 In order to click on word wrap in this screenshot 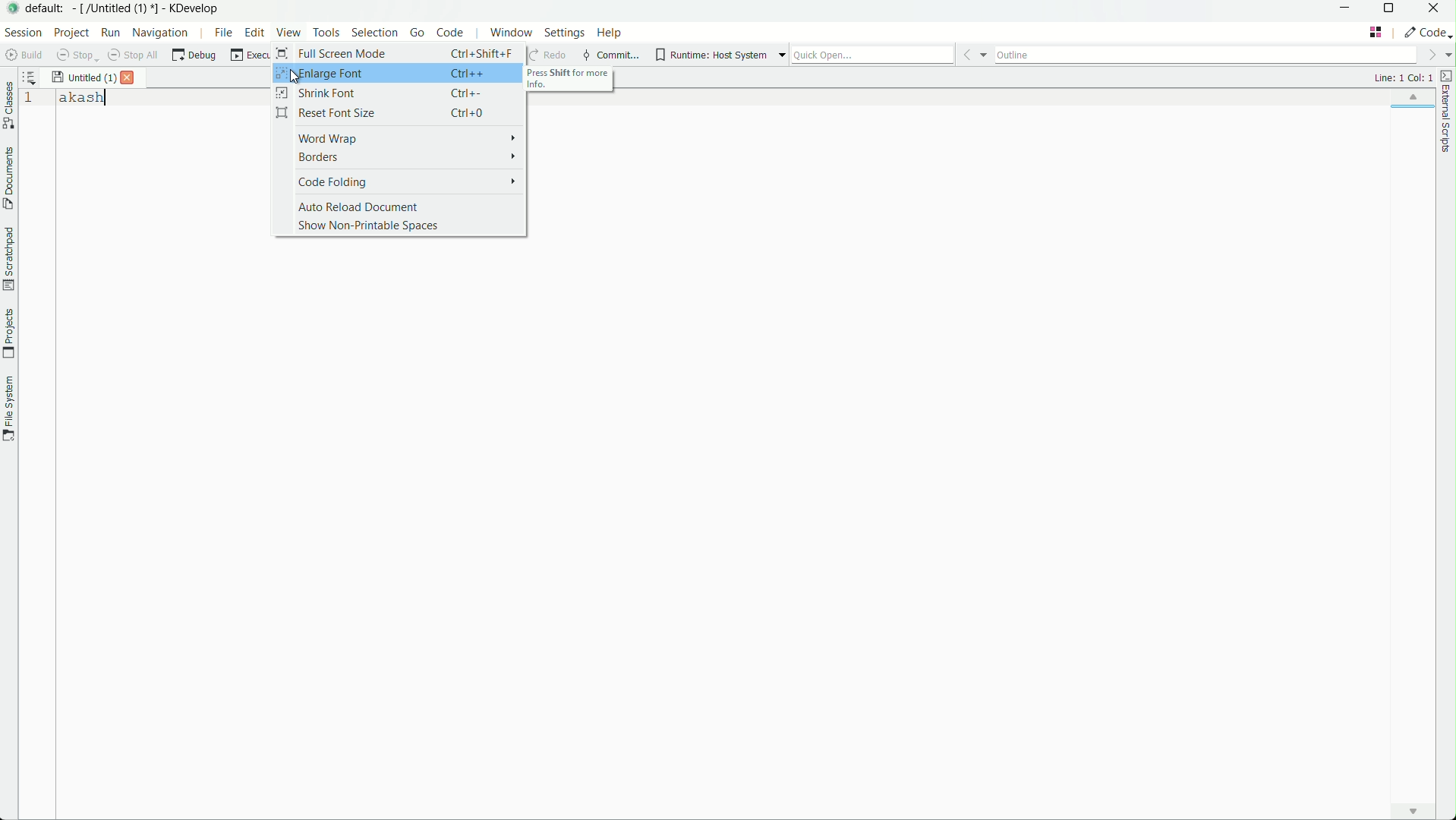, I will do `click(401, 137)`.